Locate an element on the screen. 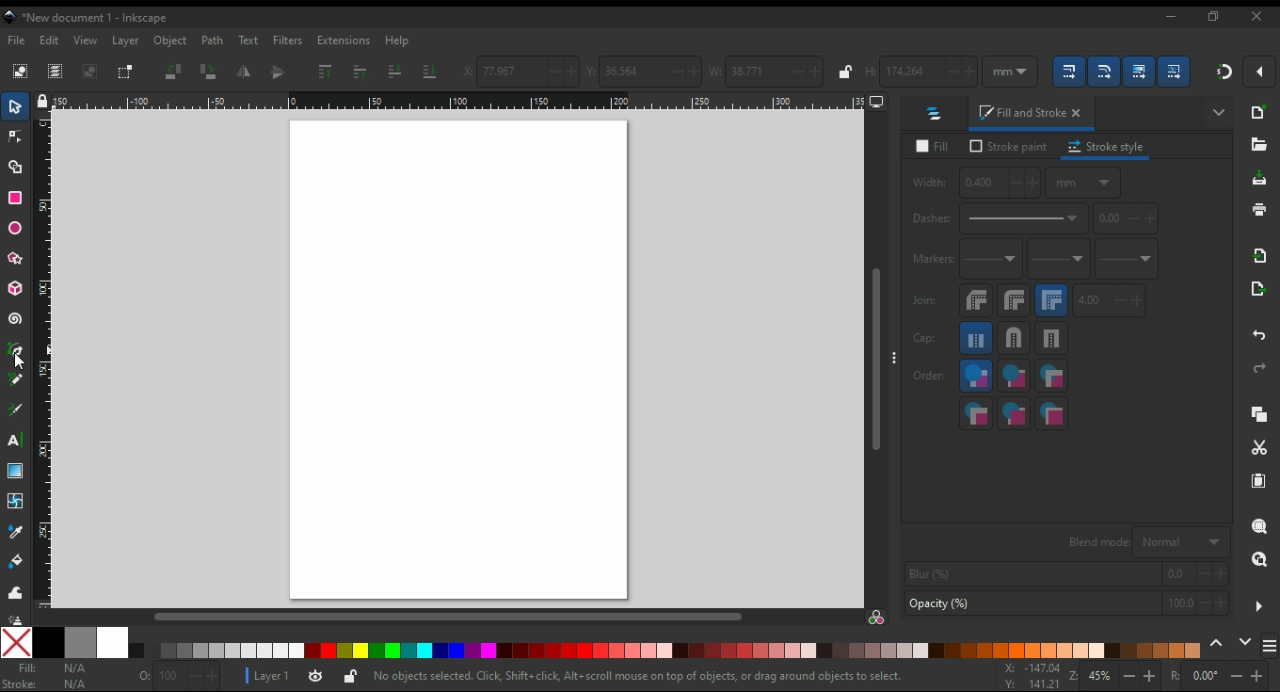 Image resolution: width=1280 pixels, height=692 pixels. stroke color is located at coordinates (52, 684).